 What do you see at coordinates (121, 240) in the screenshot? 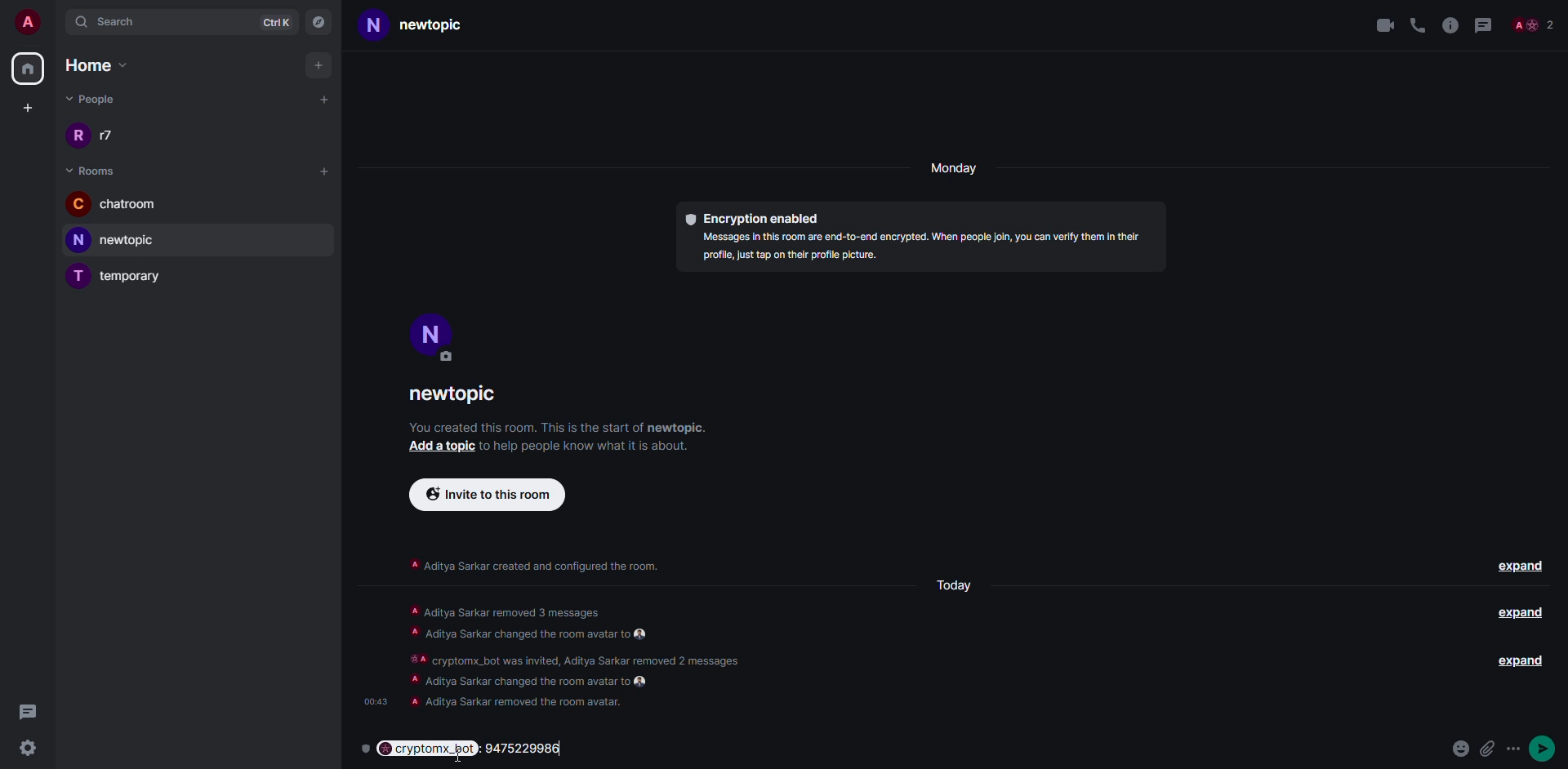
I see `newtopic` at bounding box center [121, 240].